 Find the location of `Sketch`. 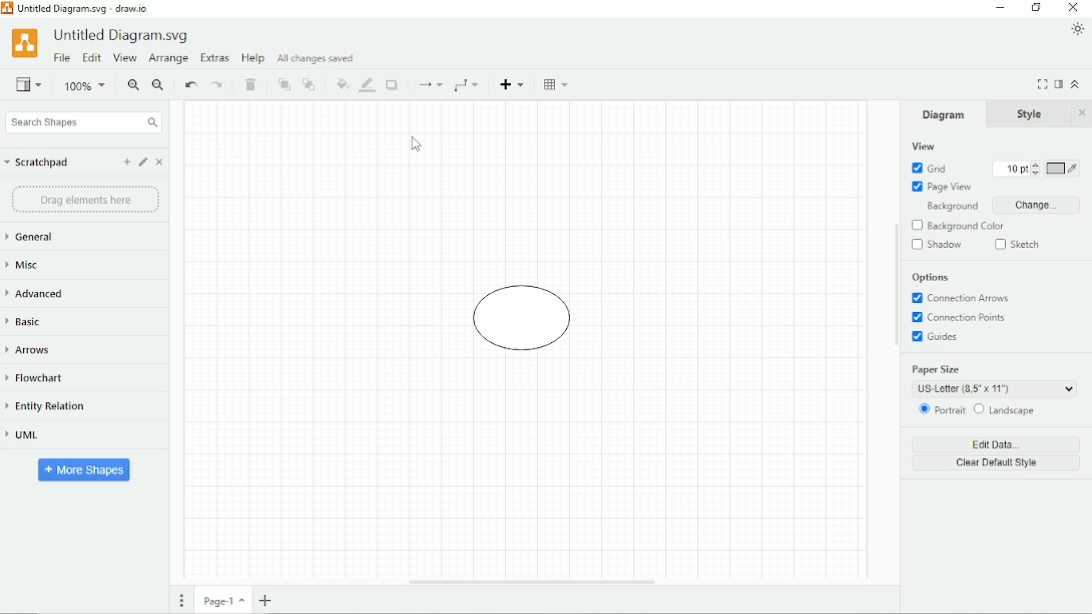

Sketch is located at coordinates (1021, 245).